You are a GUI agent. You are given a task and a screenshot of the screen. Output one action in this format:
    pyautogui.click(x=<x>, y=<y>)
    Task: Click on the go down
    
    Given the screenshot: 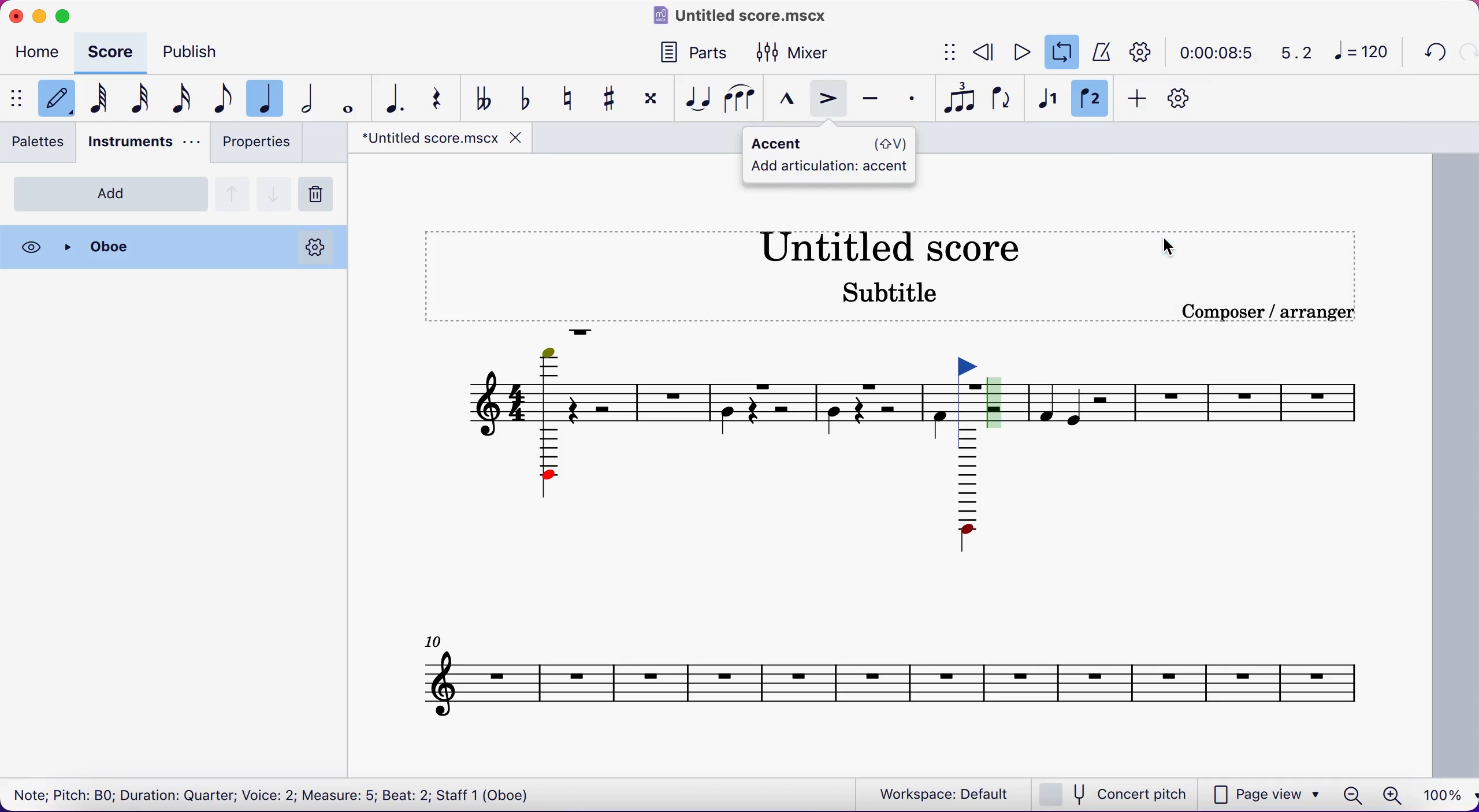 What is the action you would take?
    pyautogui.click(x=274, y=191)
    